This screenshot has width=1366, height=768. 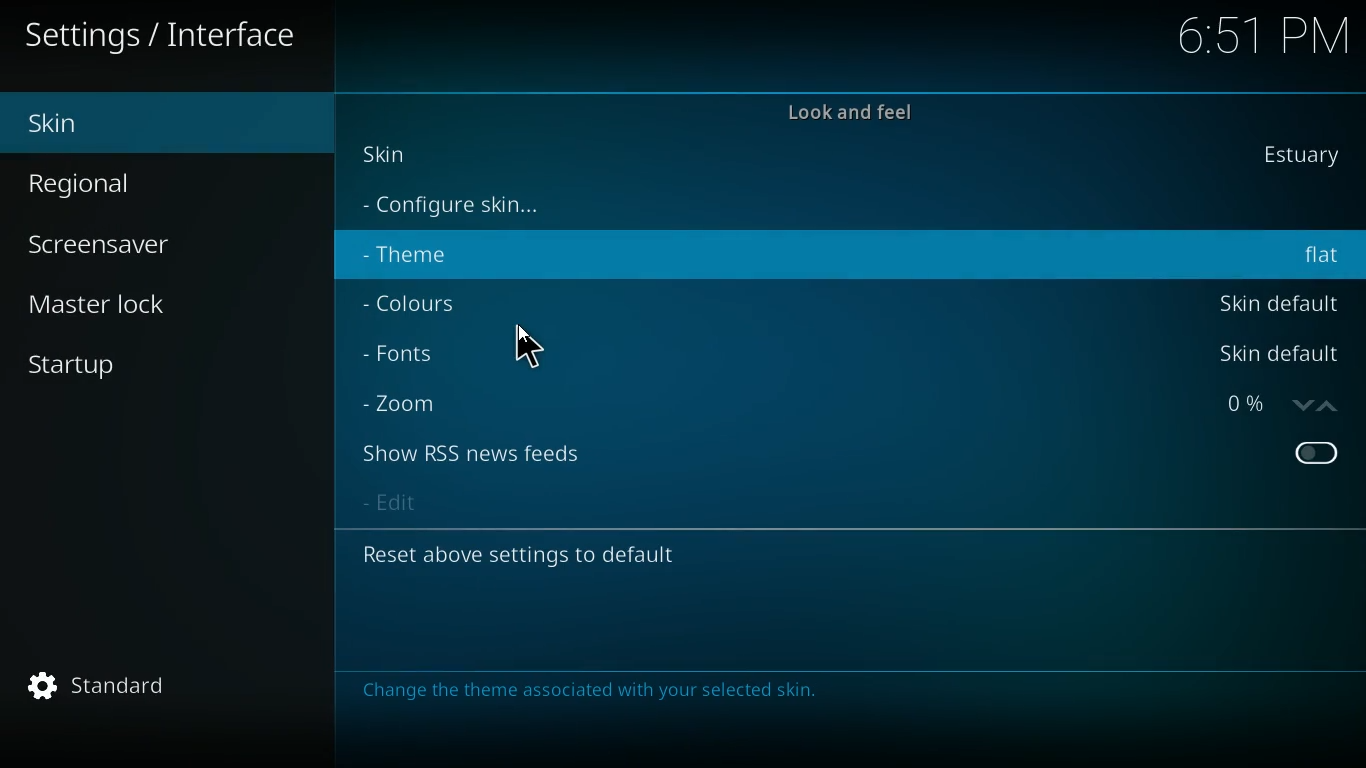 What do you see at coordinates (1274, 354) in the screenshot?
I see `skin default` at bounding box center [1274, 354].